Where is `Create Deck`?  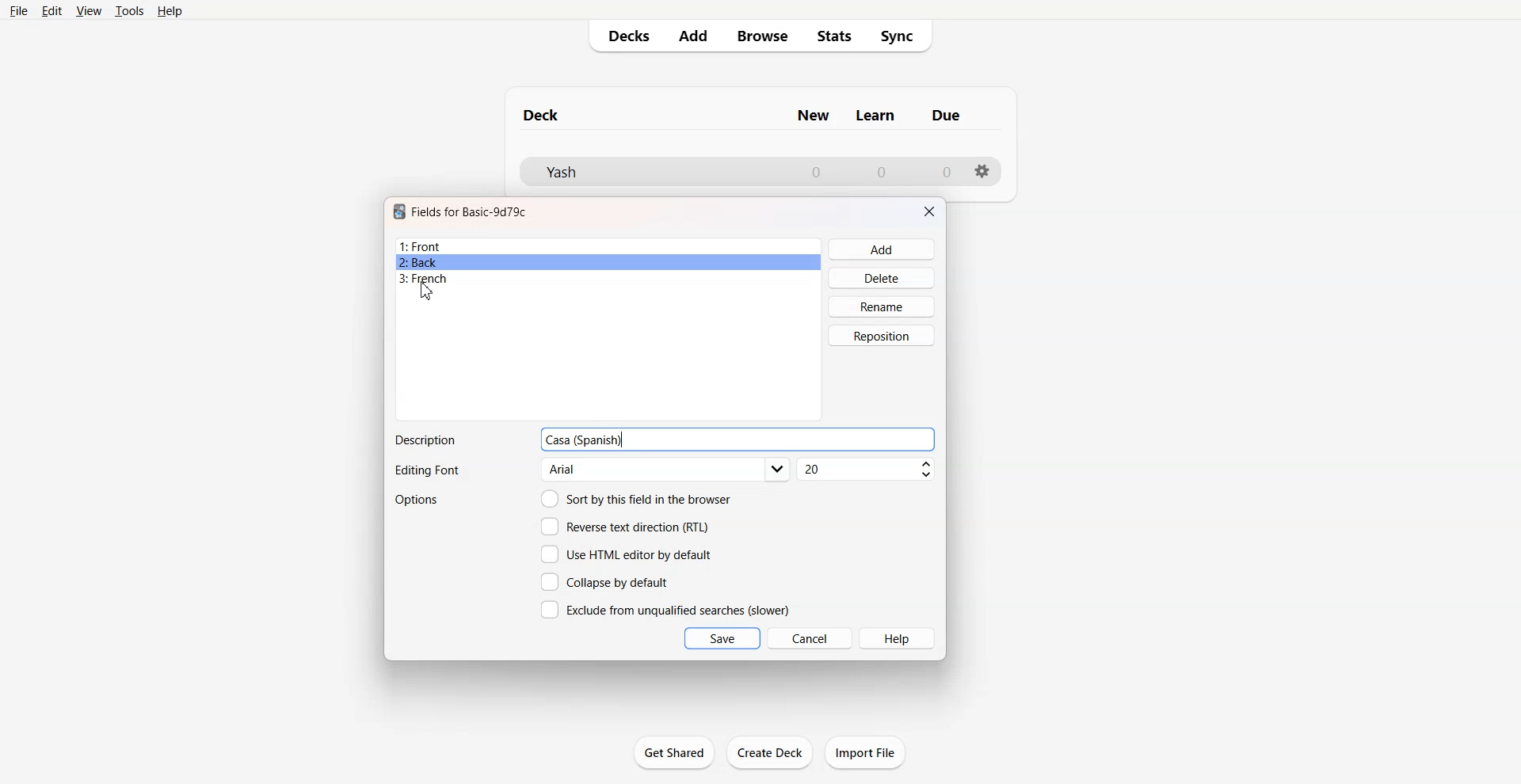 Create Deck is located at coordinates (771, 752).